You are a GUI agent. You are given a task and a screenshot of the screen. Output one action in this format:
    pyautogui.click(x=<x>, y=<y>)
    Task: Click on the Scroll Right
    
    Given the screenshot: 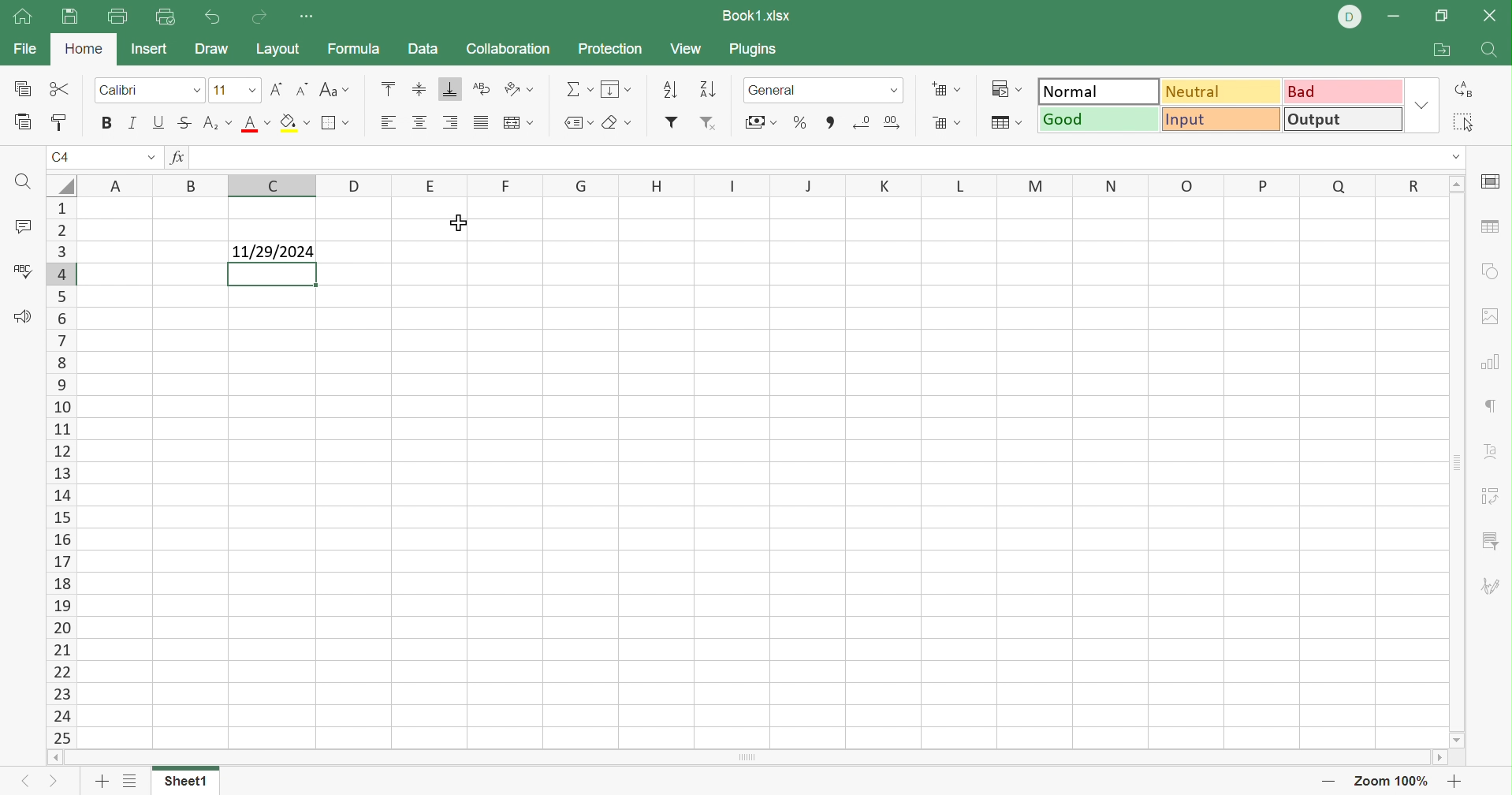 What is the action you would take?
    pyautogui.click(x=1437, y=757)
    